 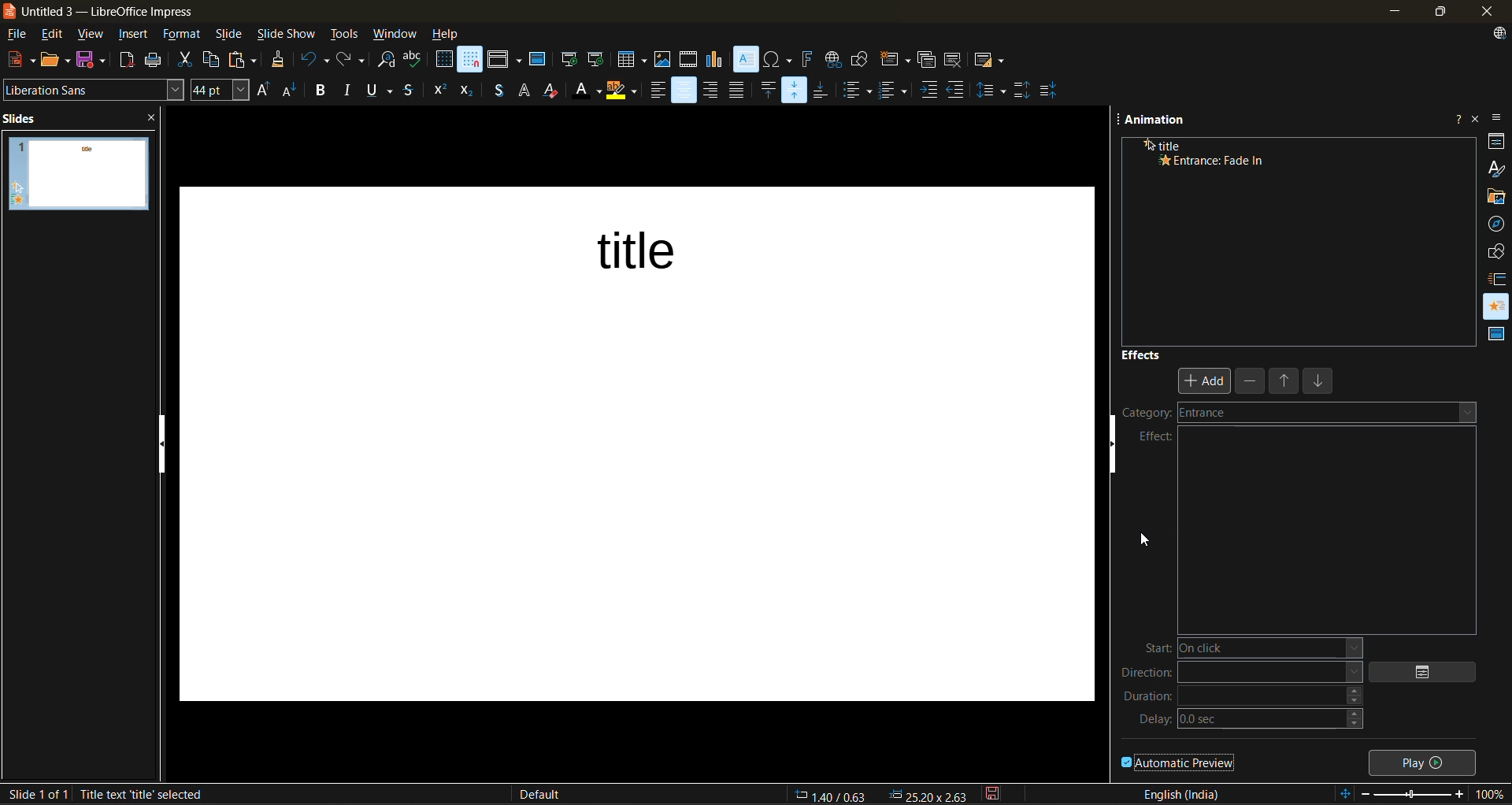 What do you see at coordinates (1425, 761) in the screenshot?
I see `play` at bounding box center [1425, 761].